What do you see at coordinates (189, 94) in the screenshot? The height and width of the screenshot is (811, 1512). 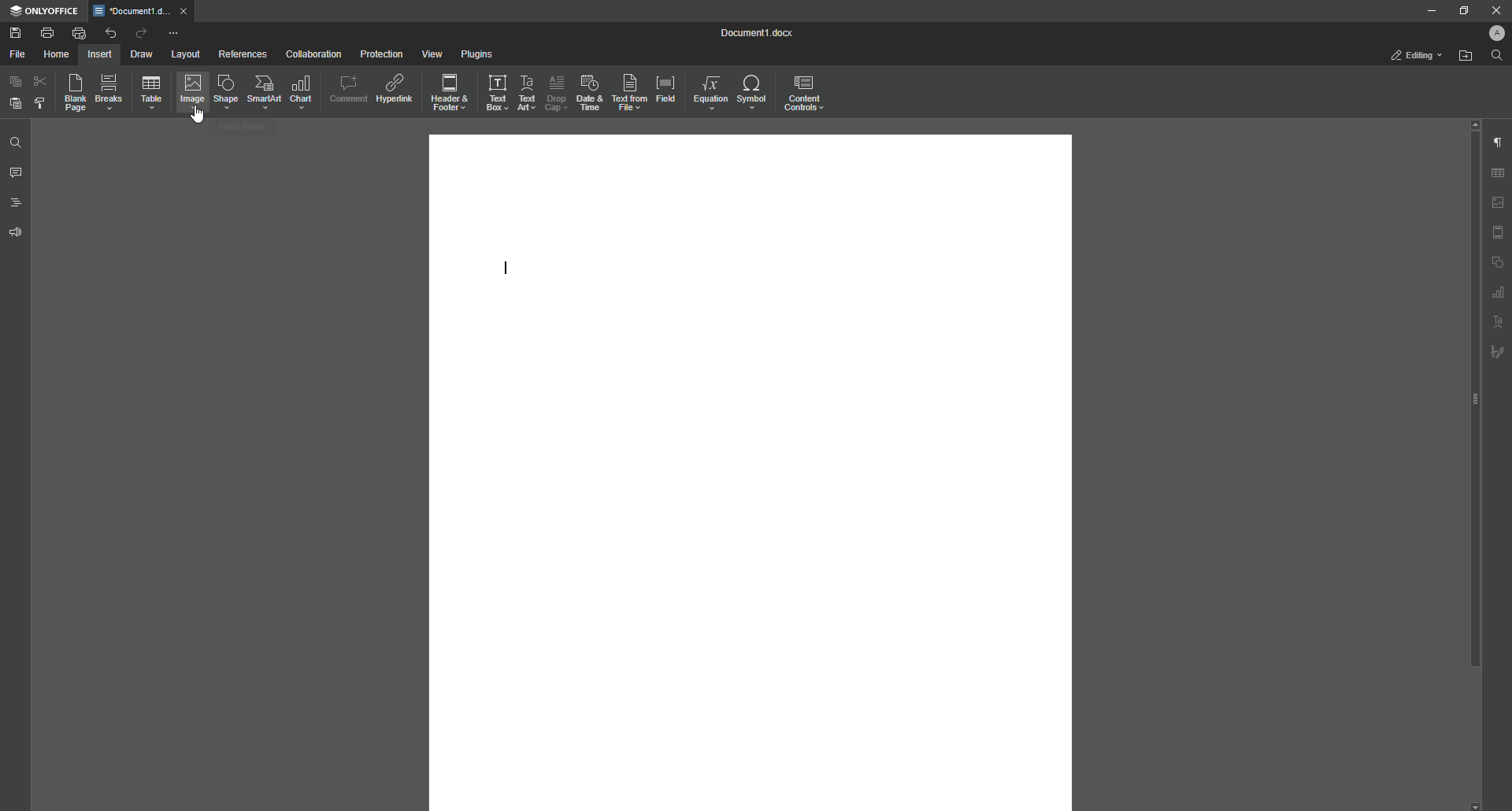 I see `Image` at bounding box center [189, 94].